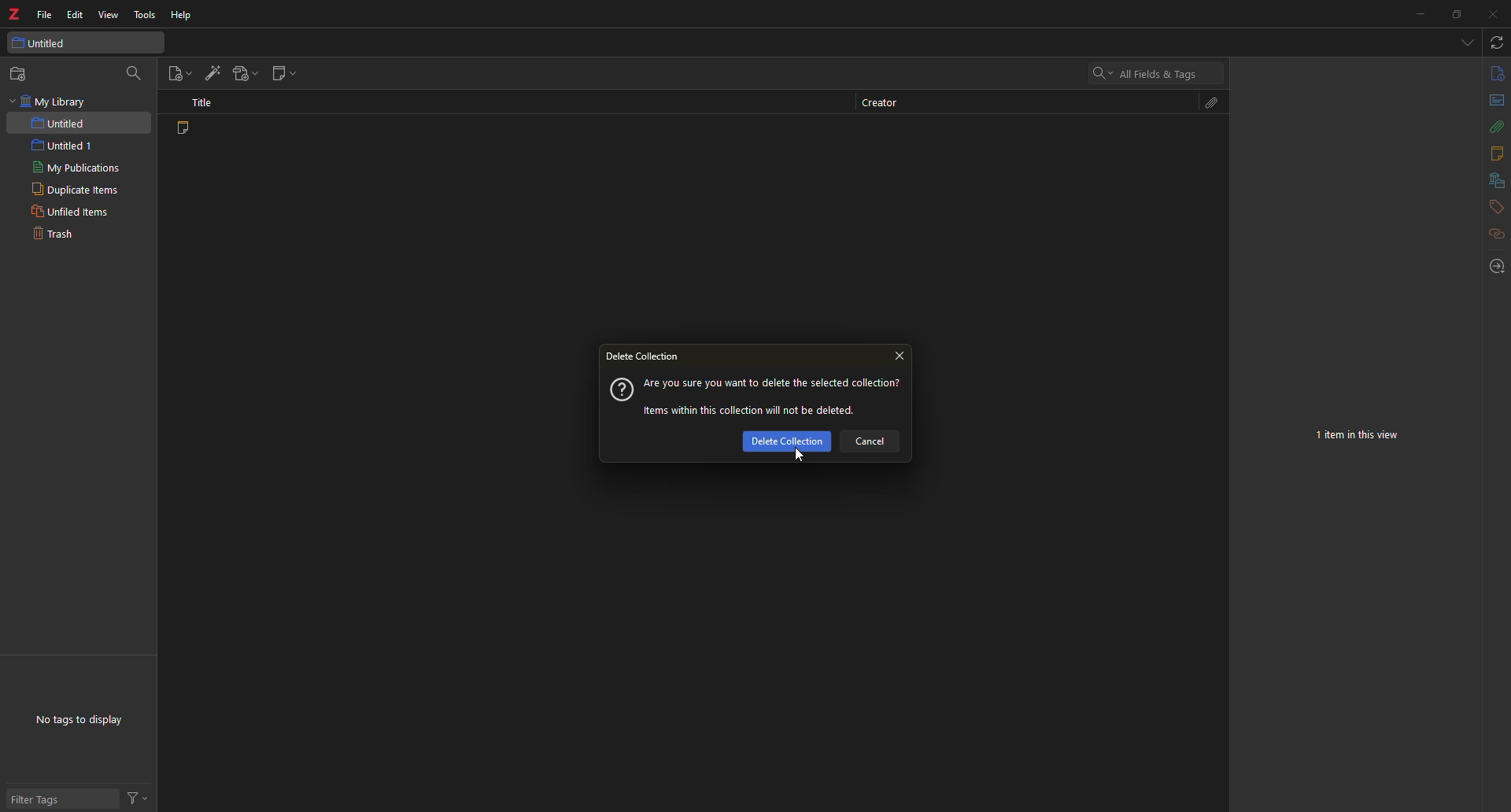 The height and width of the screenshot is (812, 1511). Describe the element at coordinates (1454, 16) in the screenshot. I see `maximize` at that location.